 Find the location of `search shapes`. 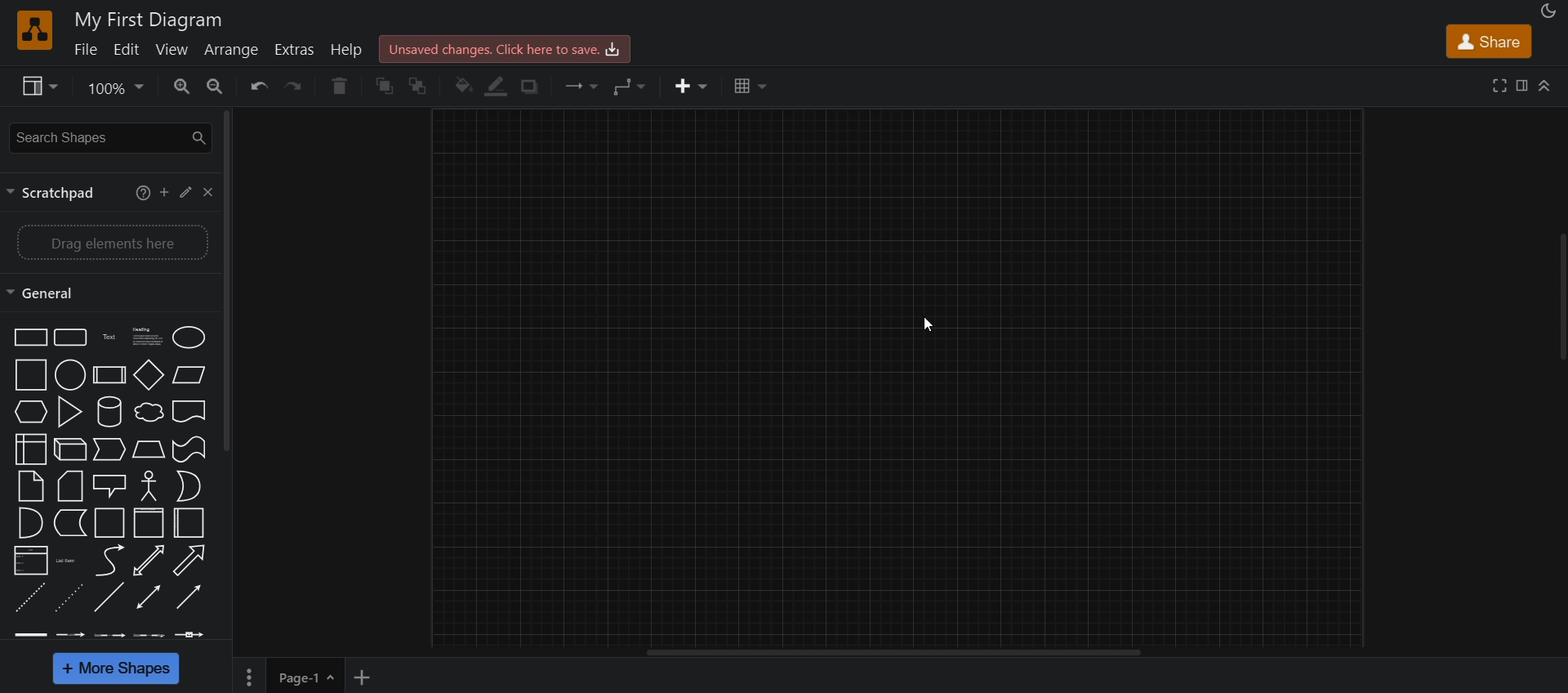

search shapes is located at coordinates (109, 136).